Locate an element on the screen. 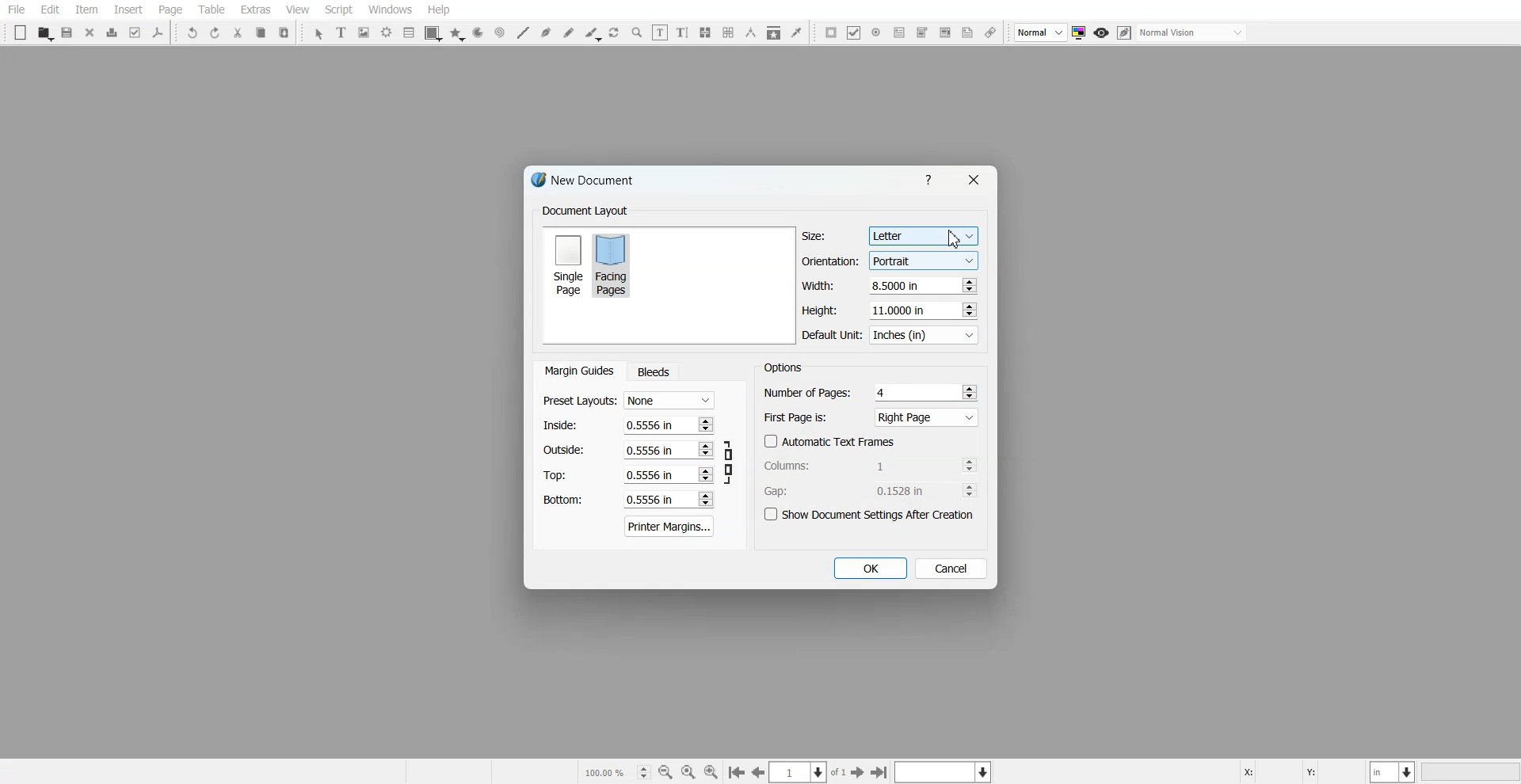 This screenshot has width=1521, height=784. Increase and decrease No.  is located at coordinates (970, 391).